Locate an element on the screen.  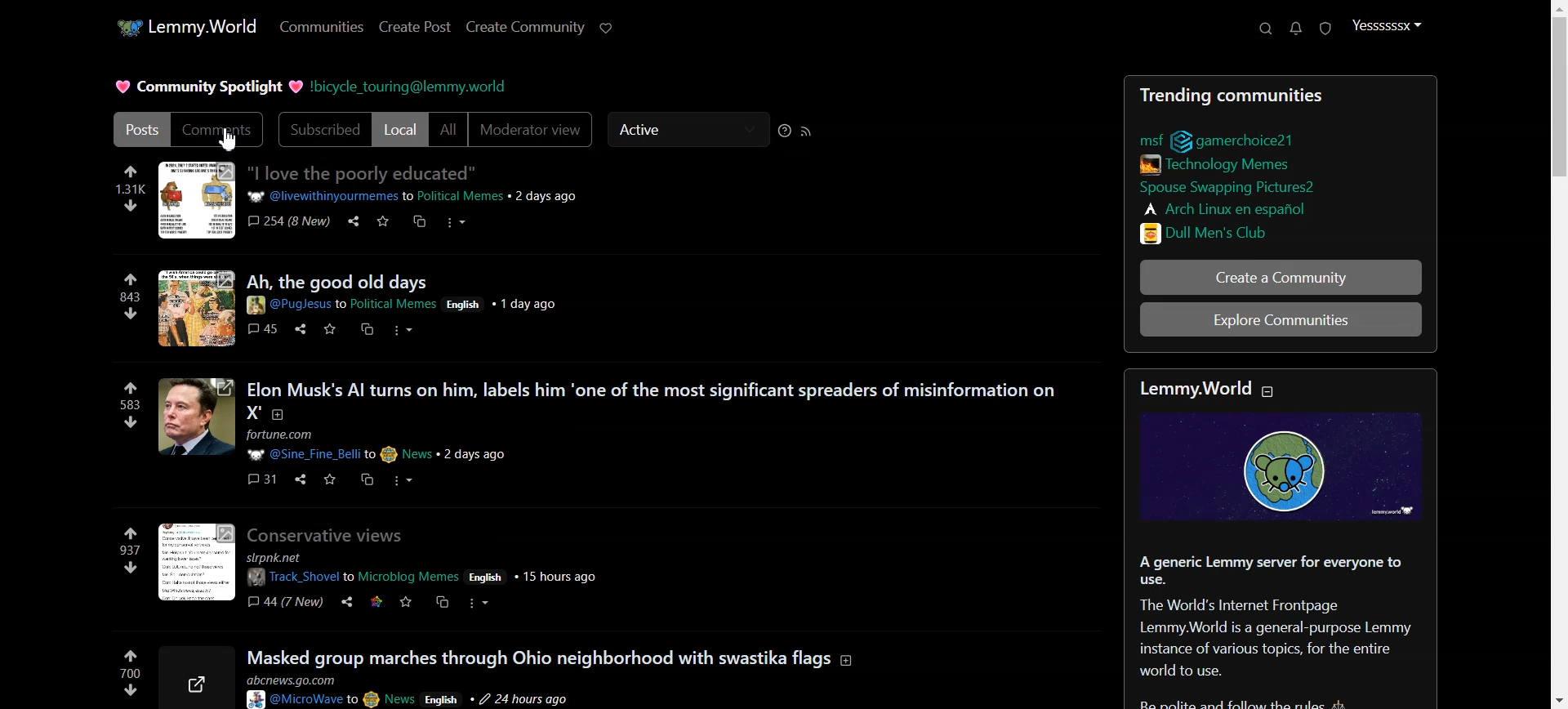
Subscribed is located at coordinates (321, 130).